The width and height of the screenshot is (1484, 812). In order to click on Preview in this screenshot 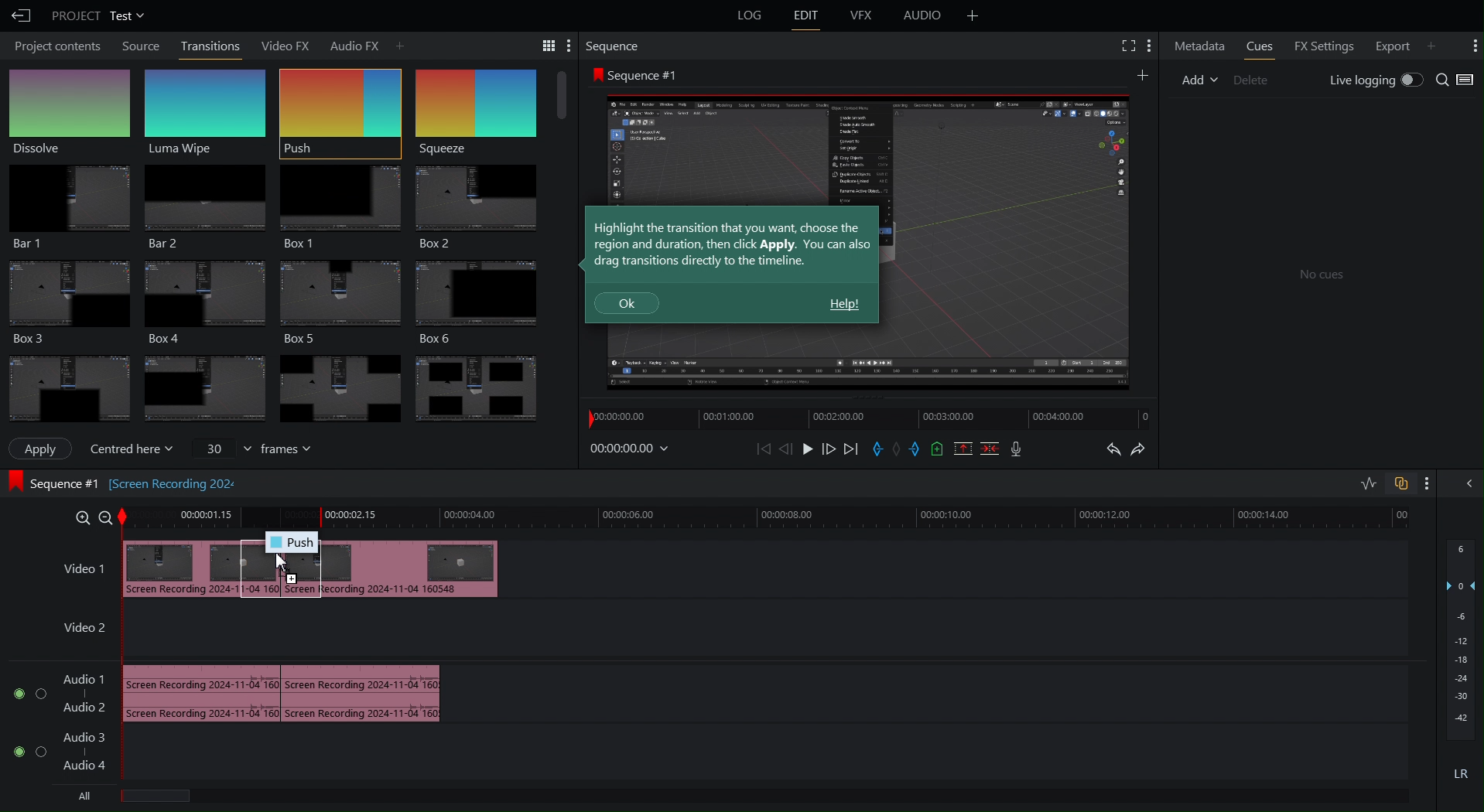, I will do `click(1008, 241)`.